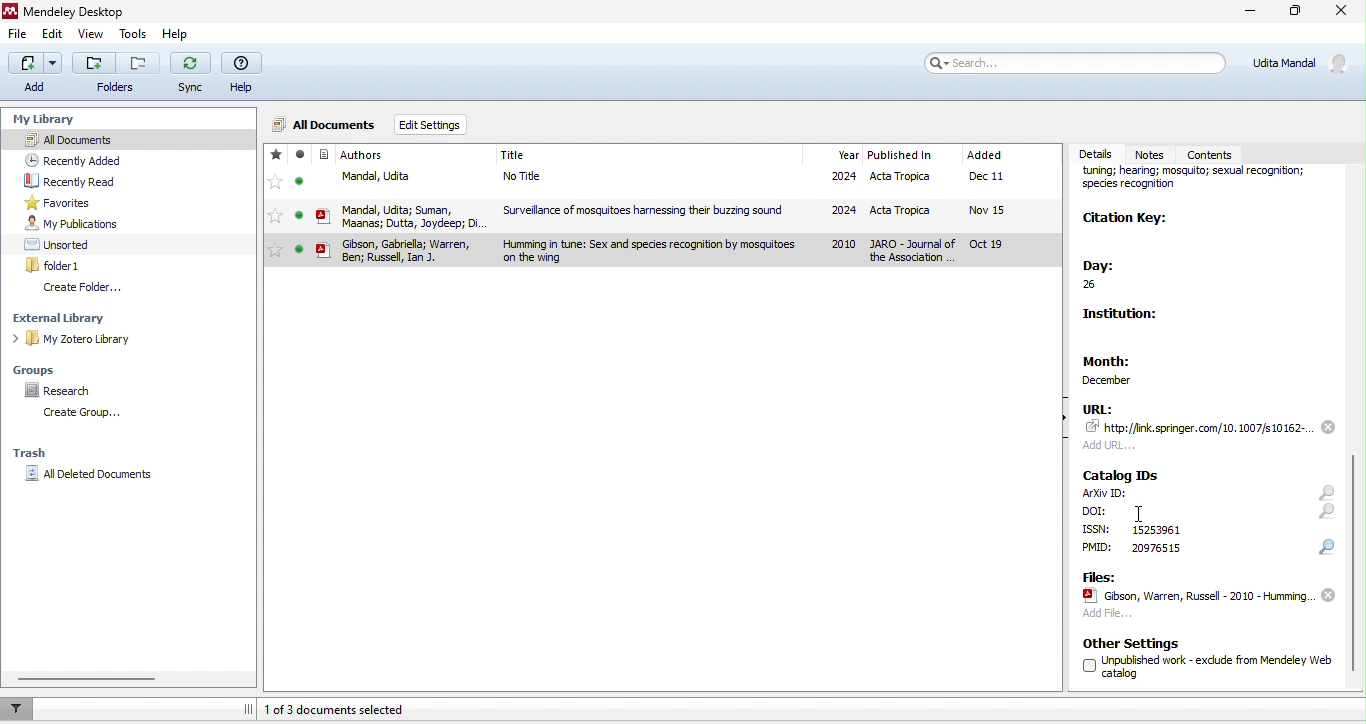  What do you see at coordinates (91, 679) in the screenshot?
I see `horizontal scroll bar` at bounding box center [91, 679].